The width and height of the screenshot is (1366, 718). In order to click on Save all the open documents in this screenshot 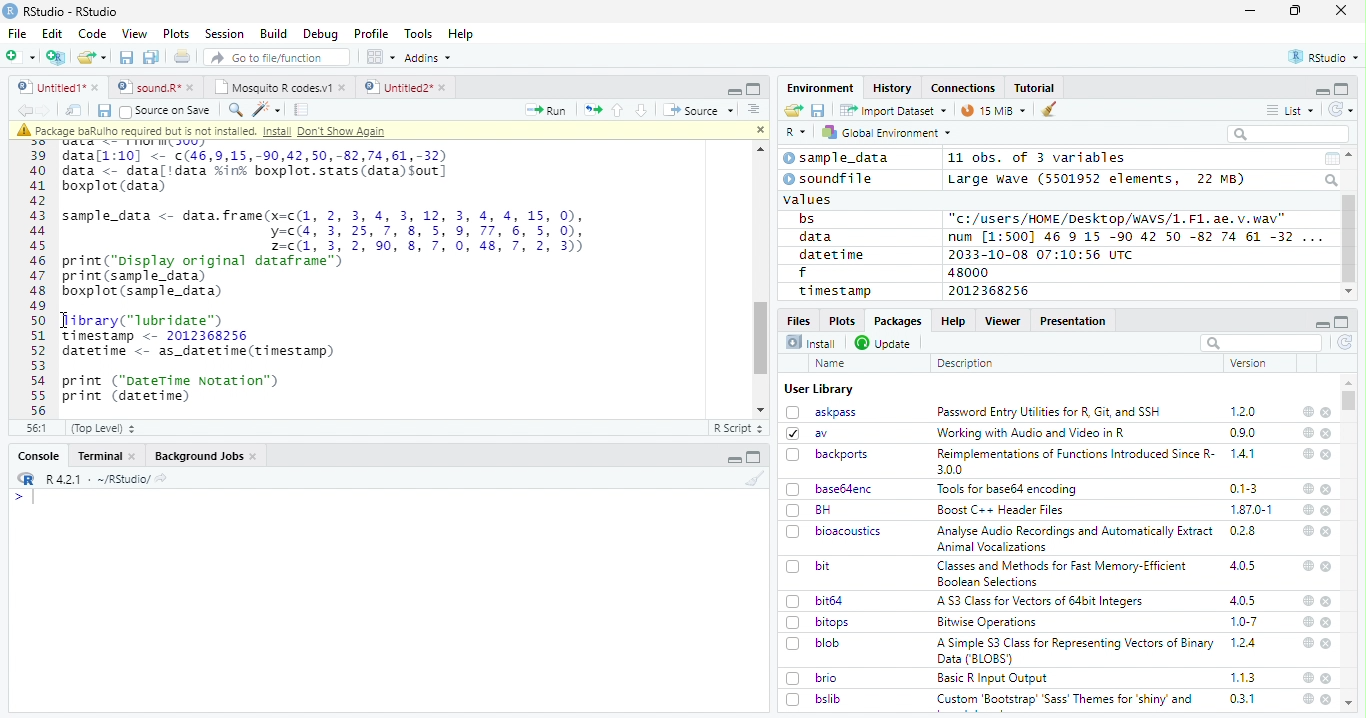, I will do `click(152, 58)`.